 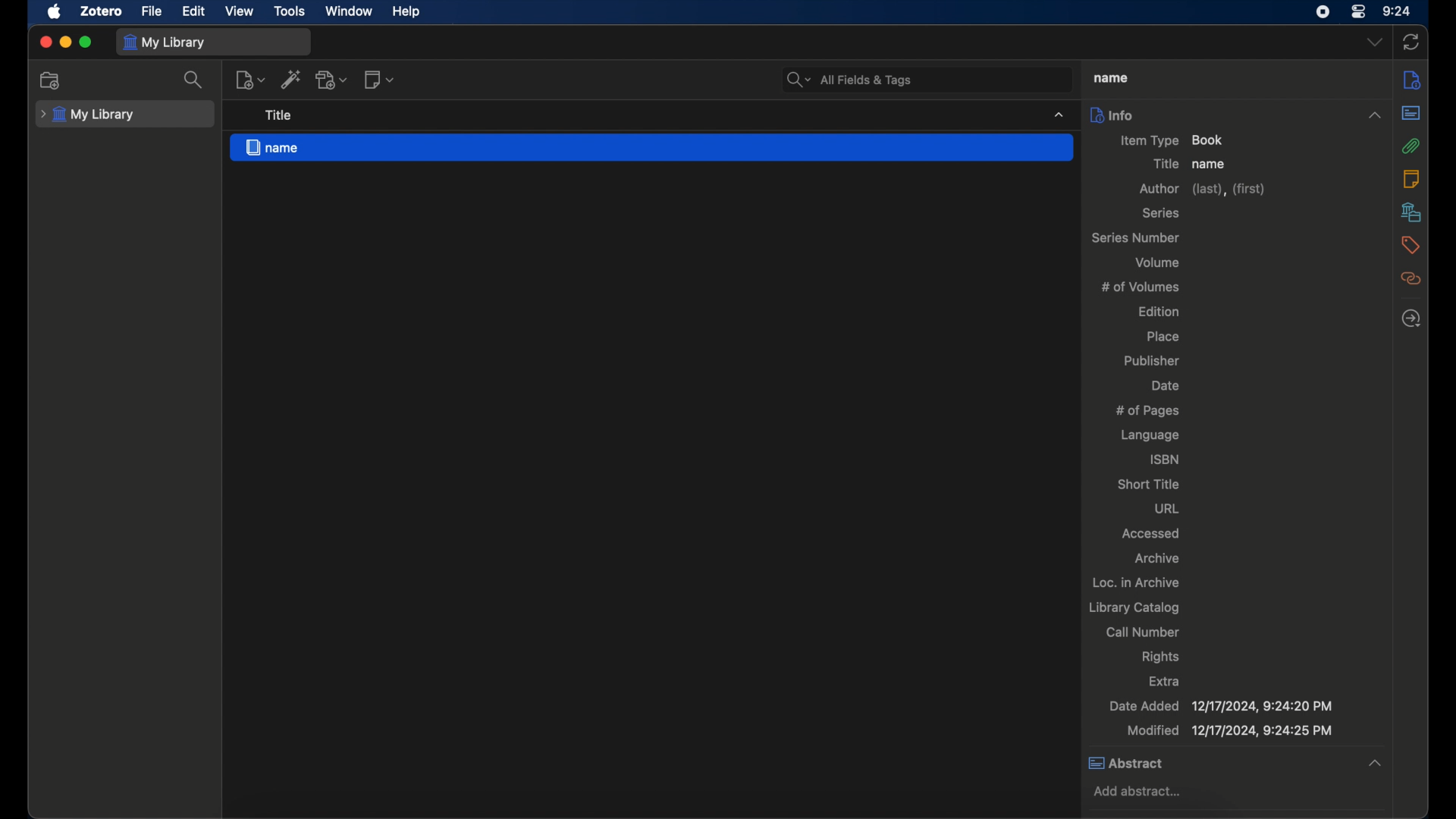 I want to click on attachments, so click(x=1412, y=146).